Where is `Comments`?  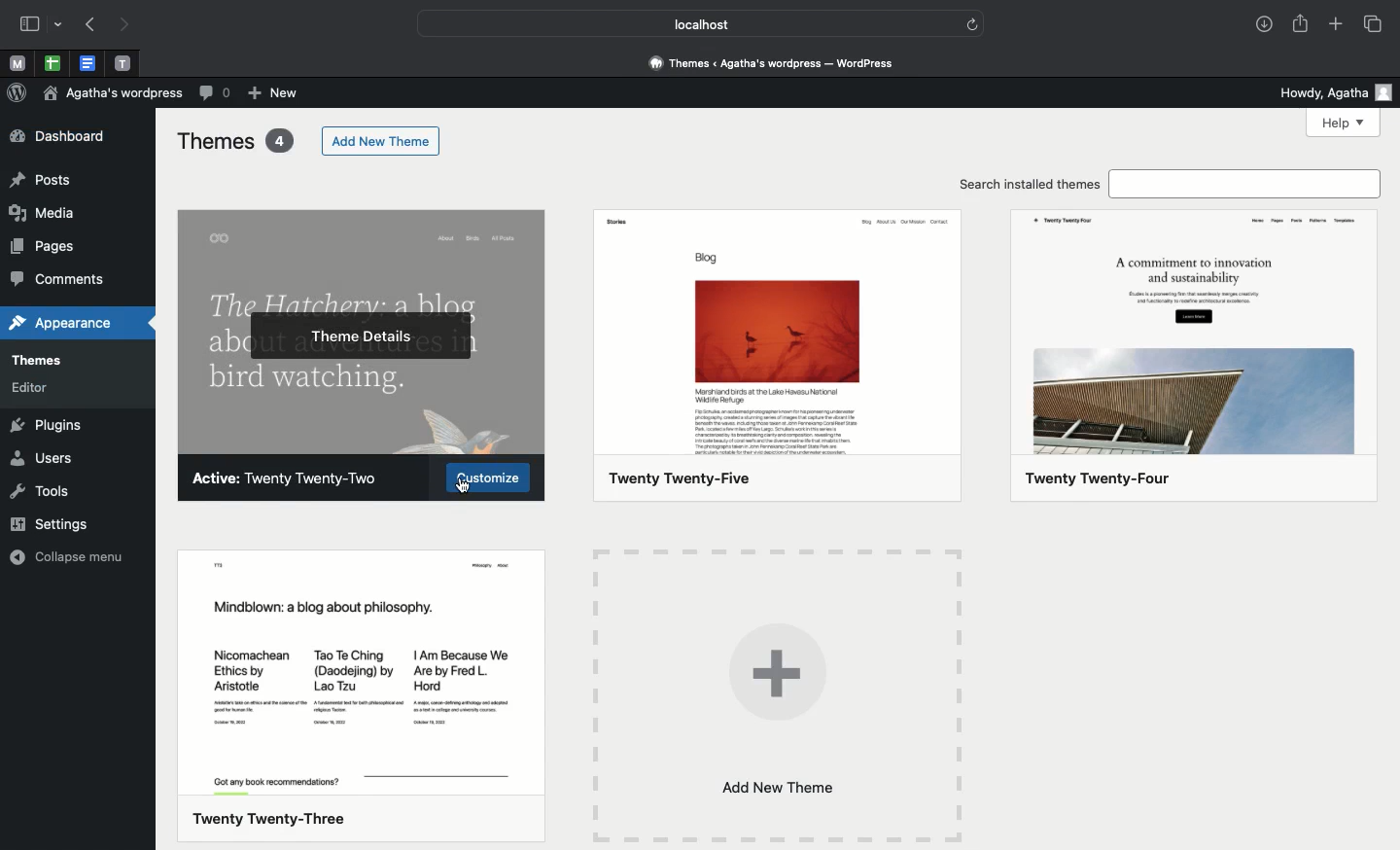
Comments is located at coordinates (63, 281).